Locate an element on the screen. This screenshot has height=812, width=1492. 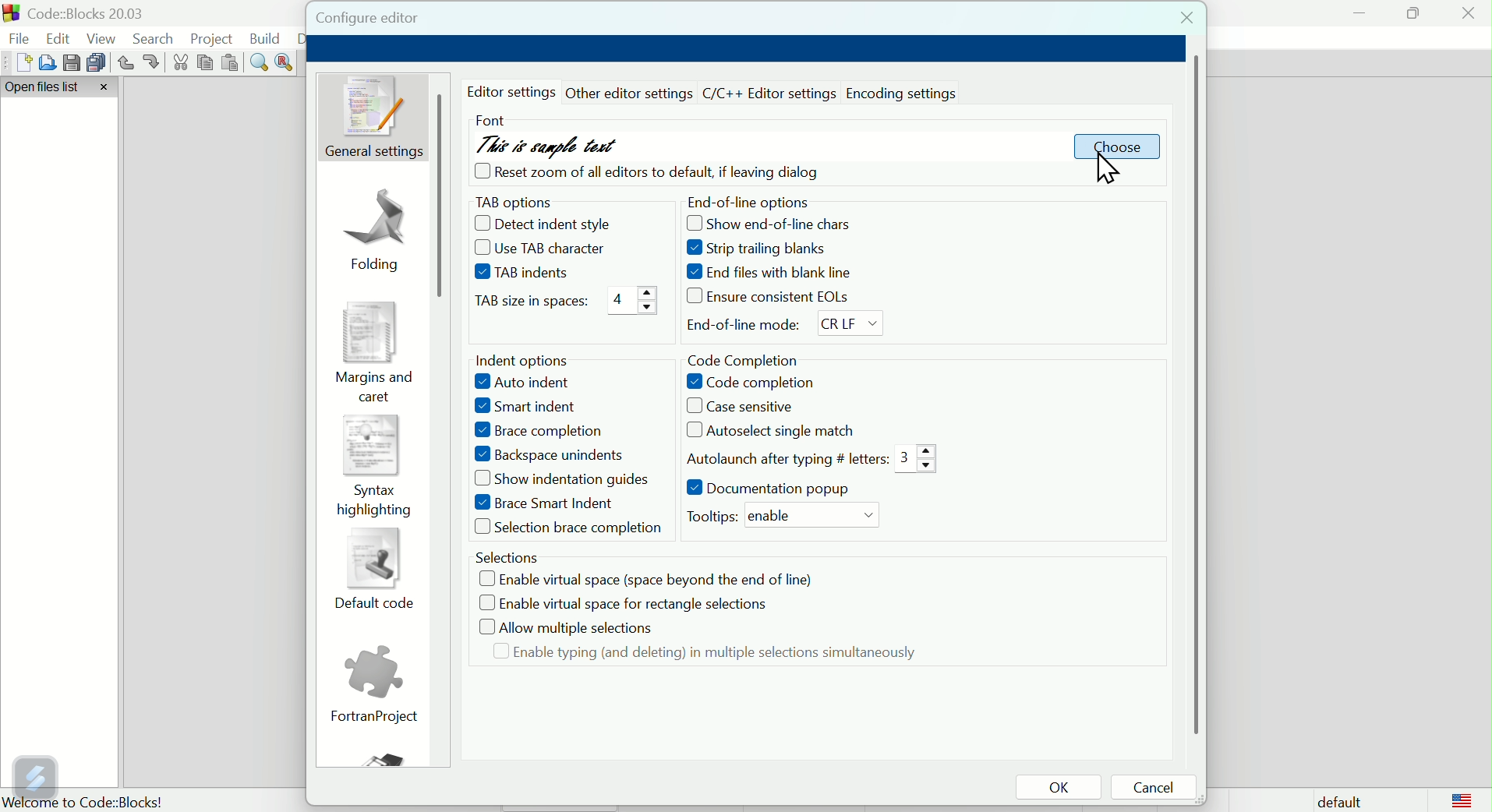
Auto launch after typing # letters: 3 is located at coordinates (784, 458).